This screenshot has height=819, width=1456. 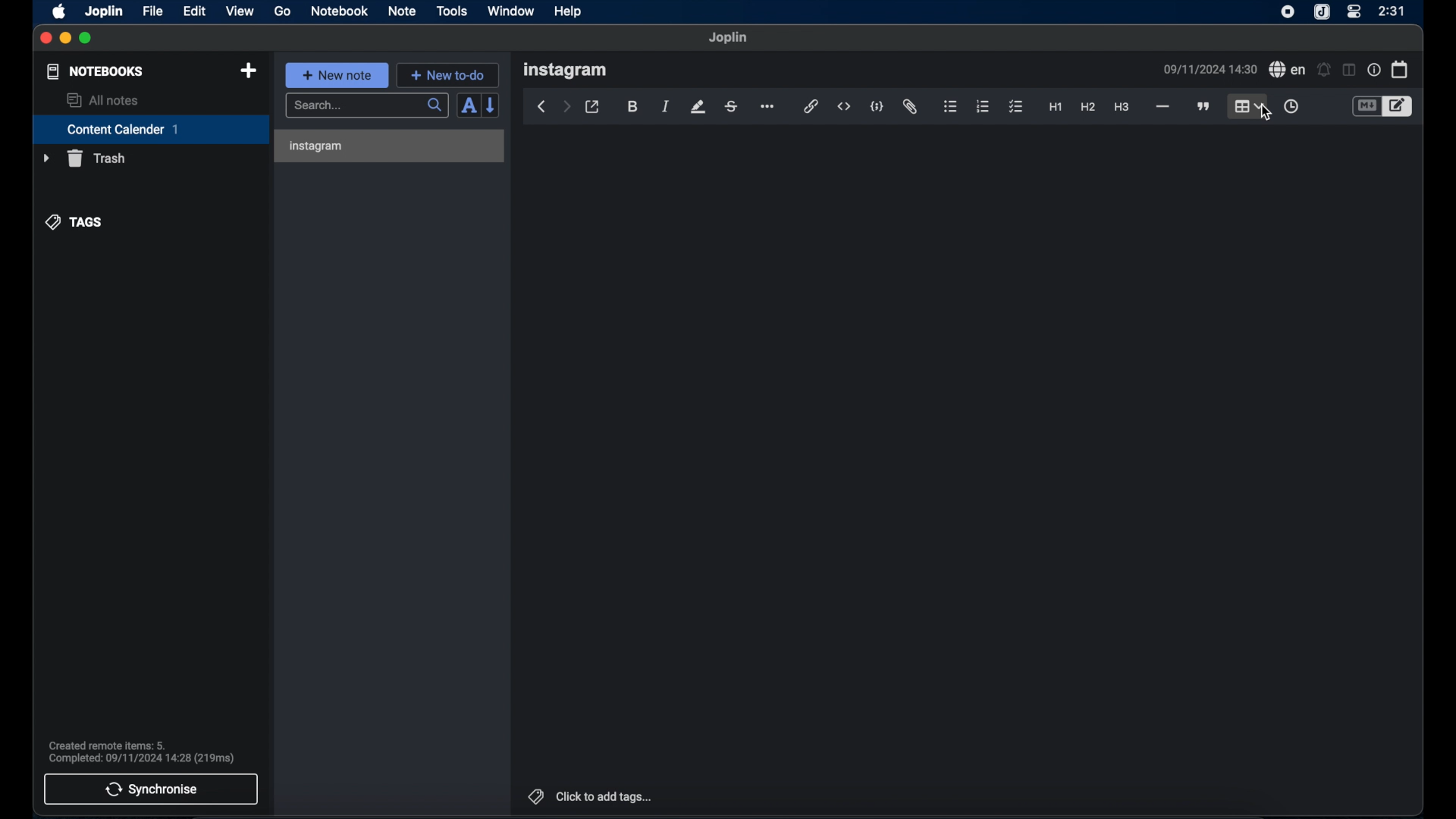 I want to click on hyperlink, so click(x=810, y=105).